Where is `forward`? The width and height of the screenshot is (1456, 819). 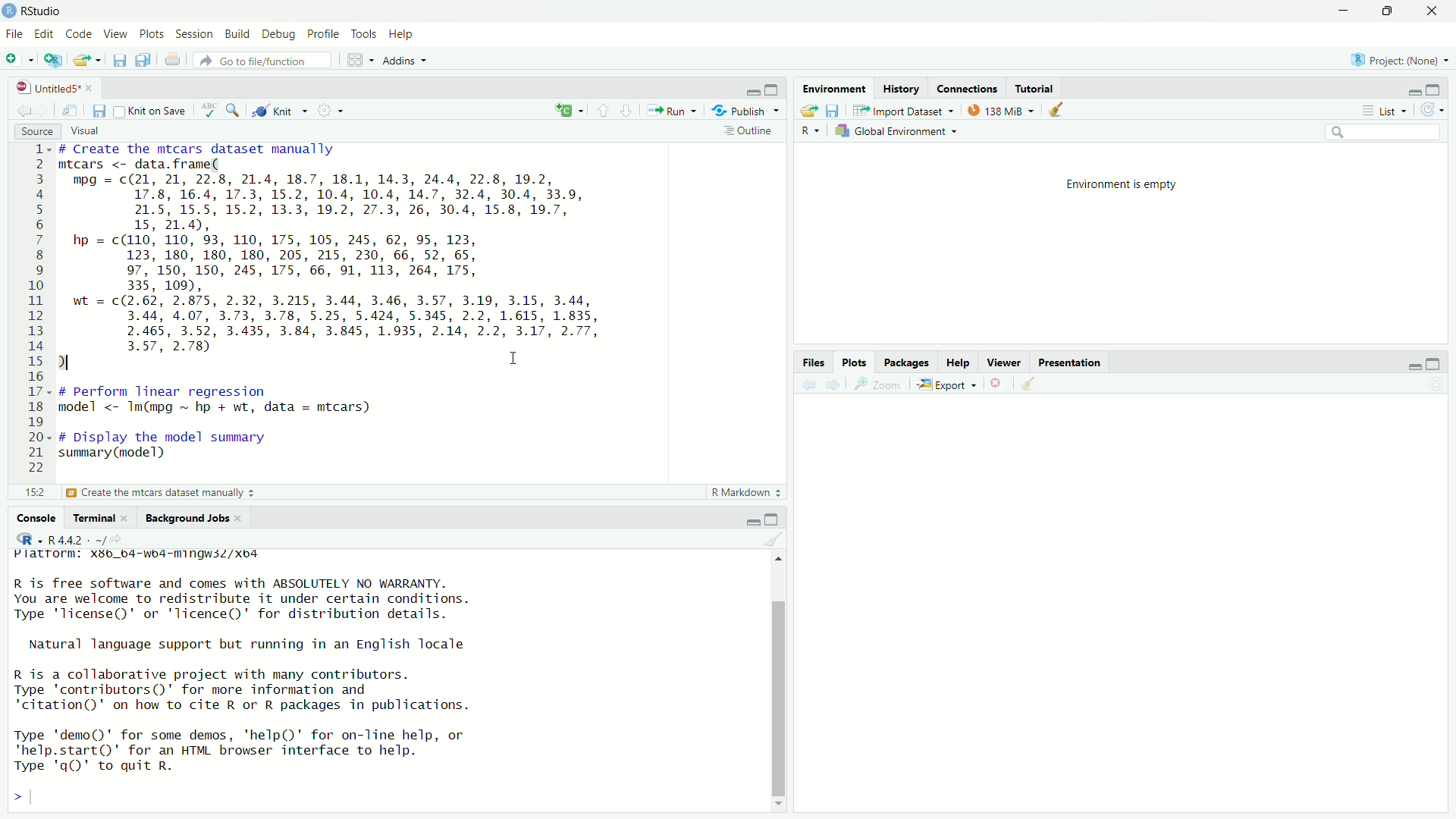
forward is located at coordinates (836, 385).